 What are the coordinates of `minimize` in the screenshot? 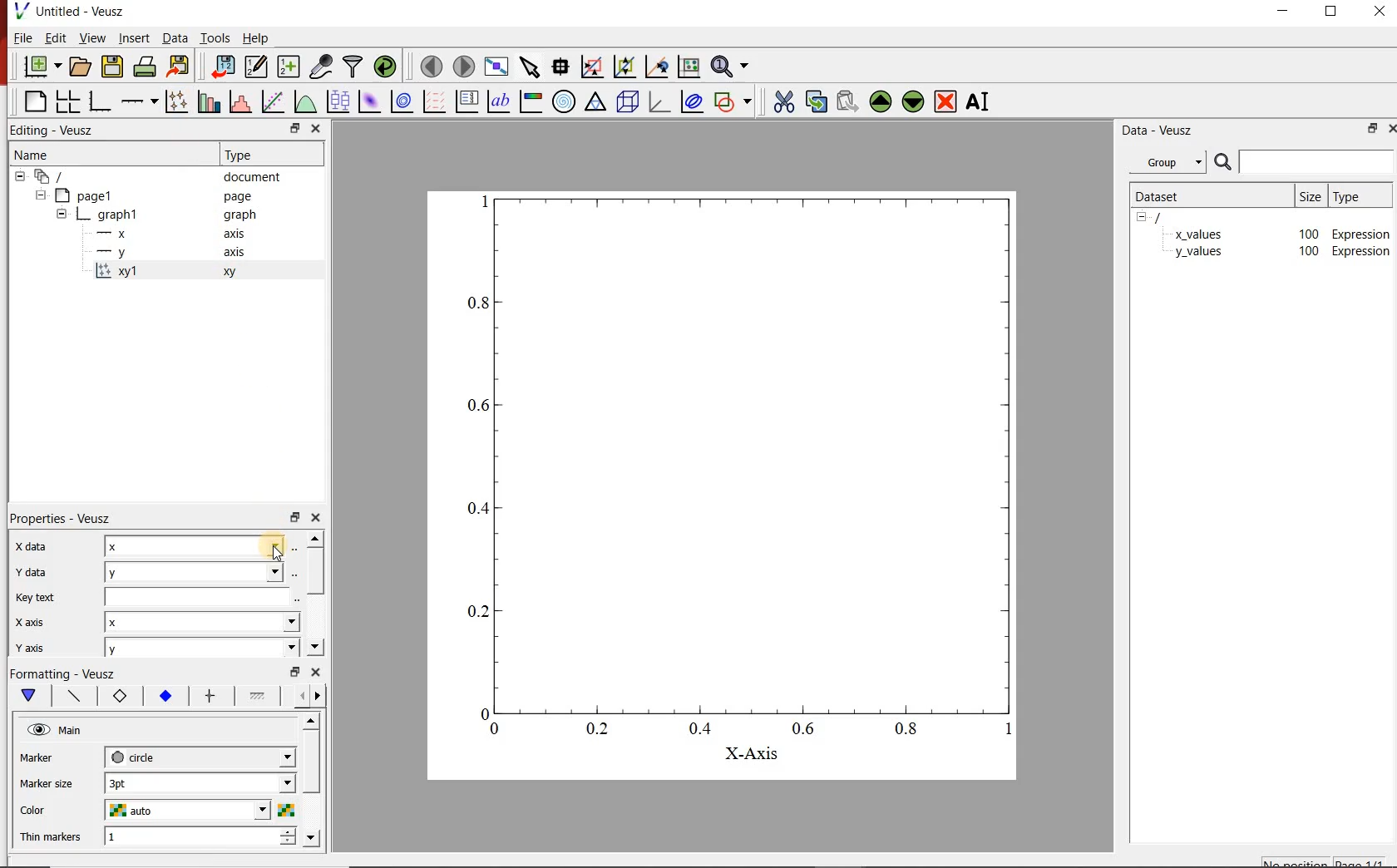 It's located at (1282, 13).